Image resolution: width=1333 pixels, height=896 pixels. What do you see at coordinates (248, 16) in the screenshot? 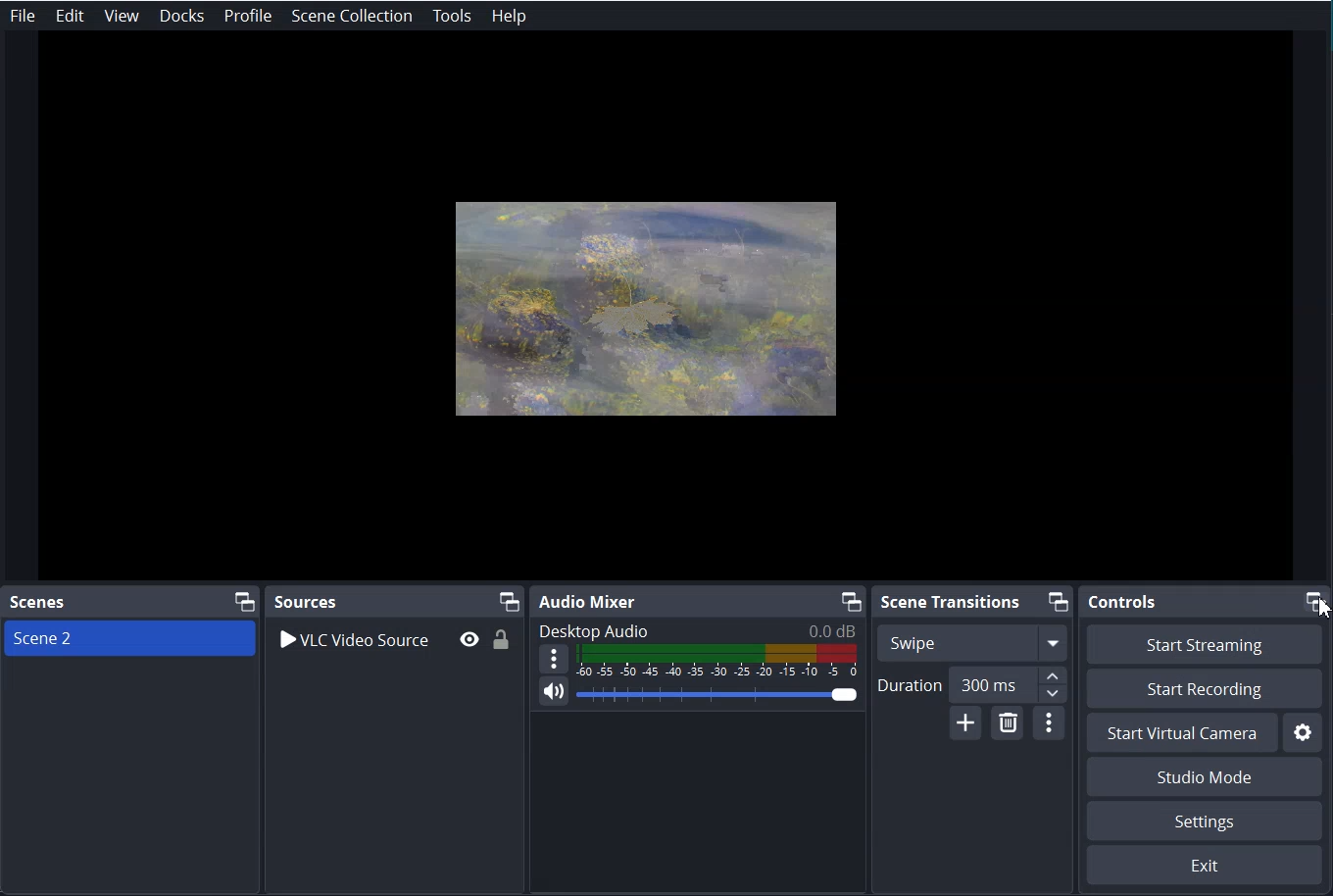
I see `Profile` at bounding box center [248, 16].